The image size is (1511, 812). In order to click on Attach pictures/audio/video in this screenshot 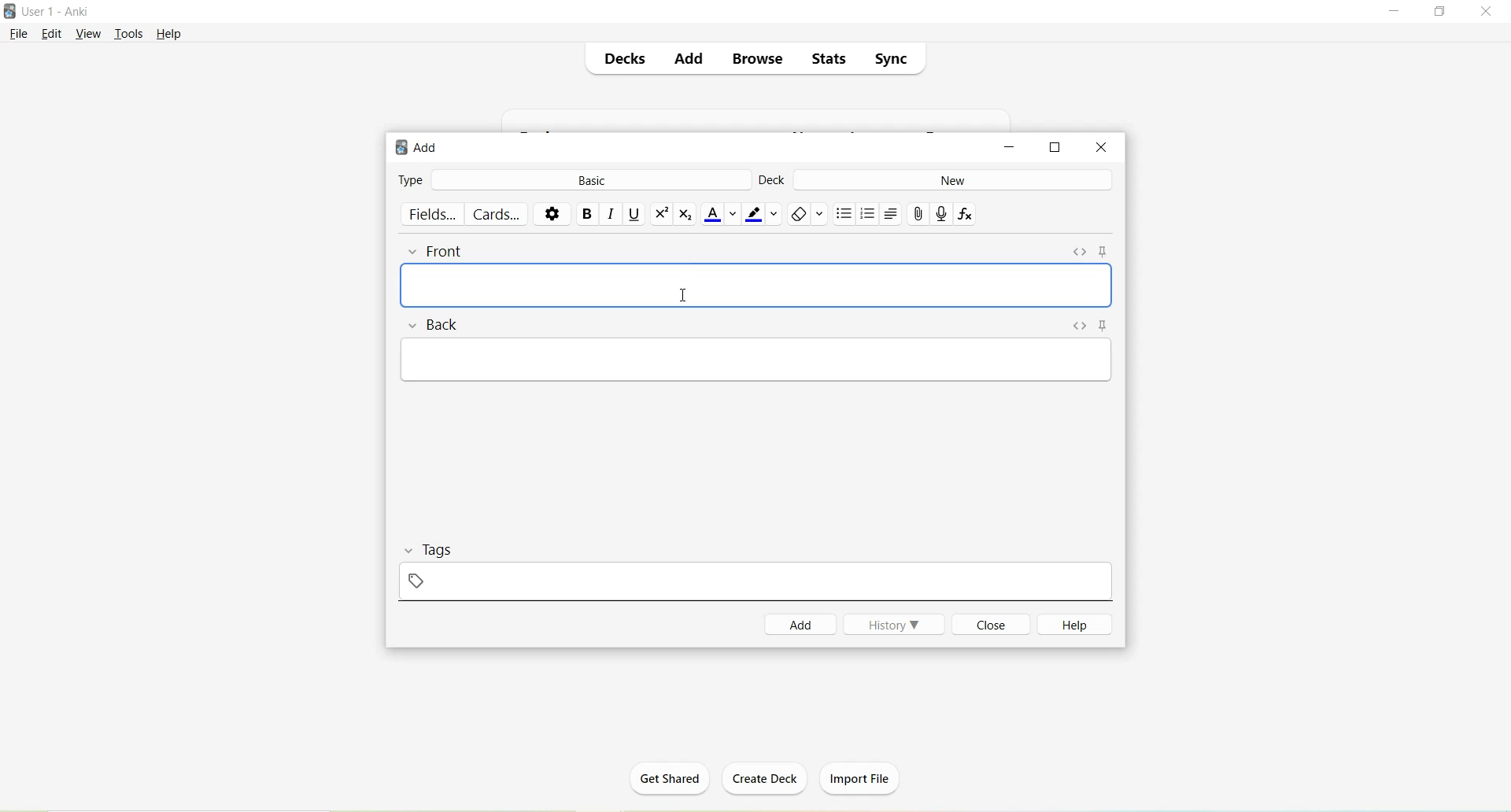, I will do `click(922, 213)`.